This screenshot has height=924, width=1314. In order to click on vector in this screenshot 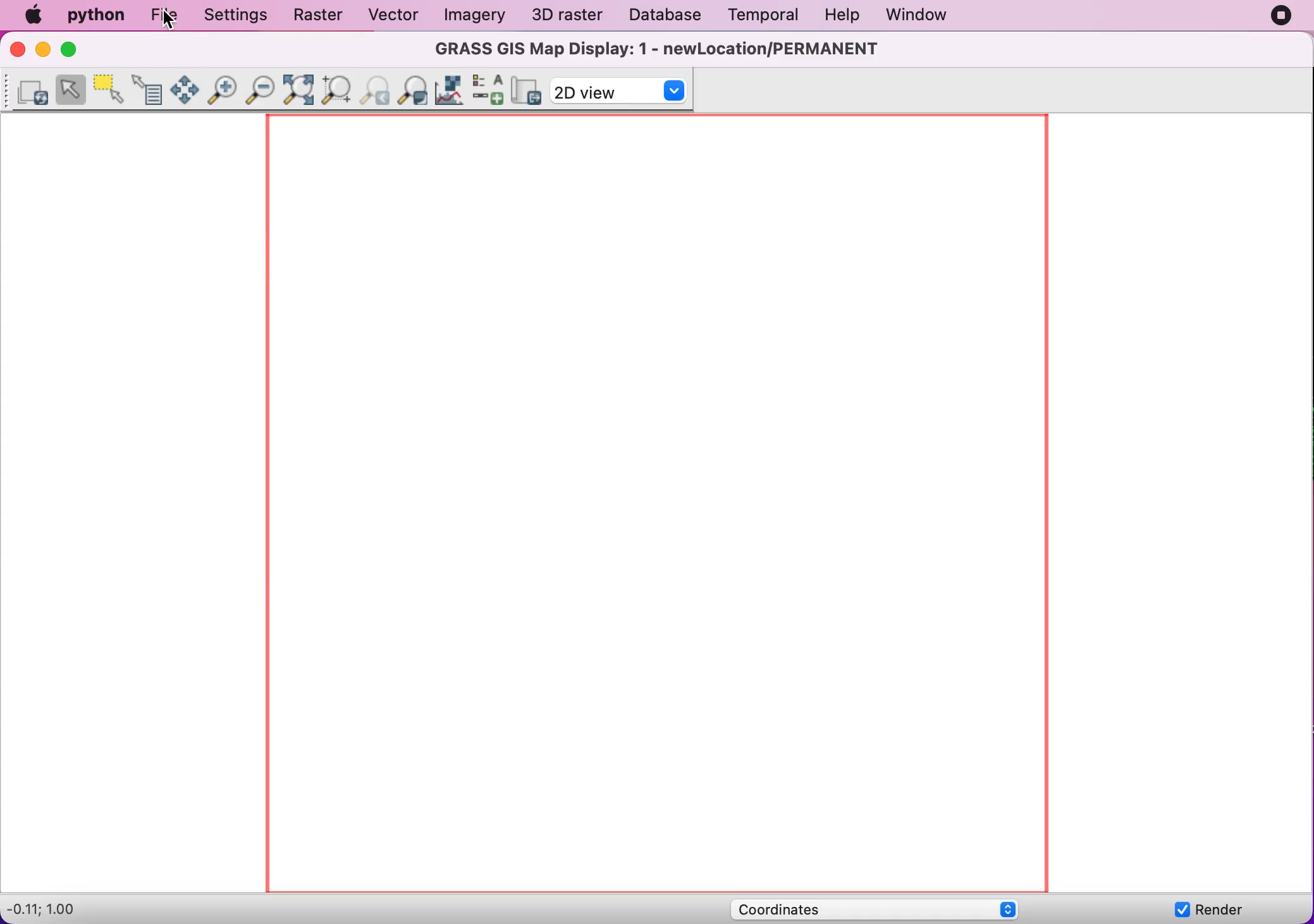, I will do `click(399, 15)`.